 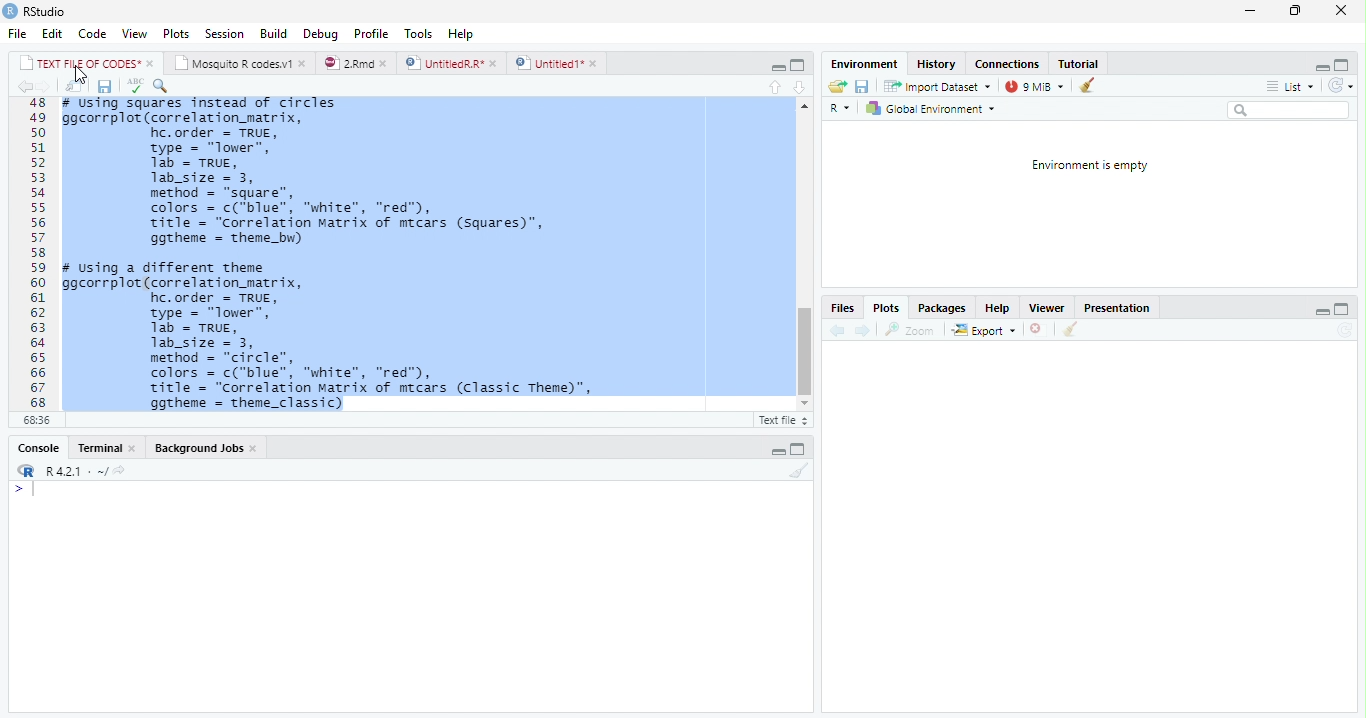 I want to click on close, so click(x=1337, y=10).